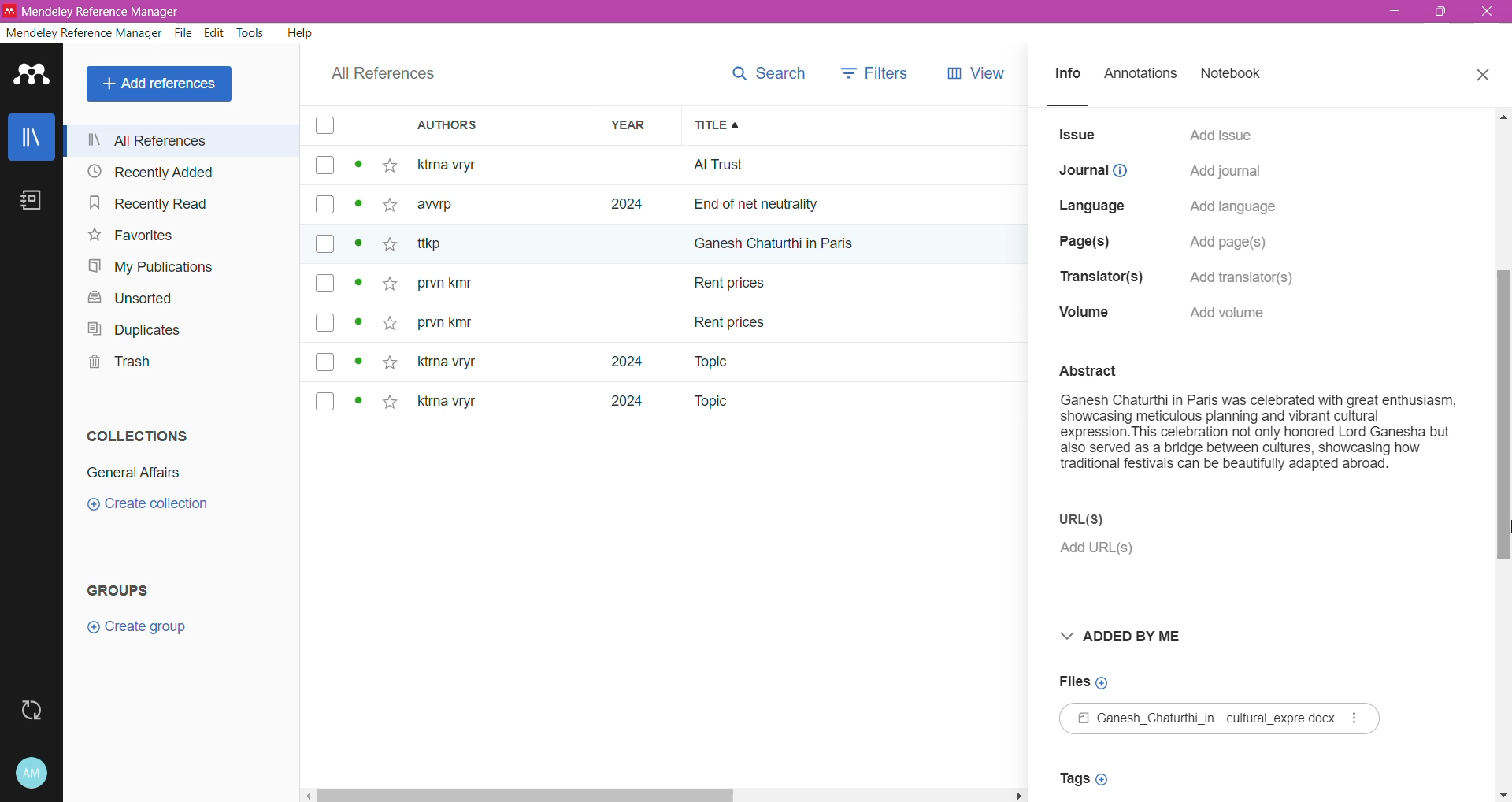 The width and height of the screenshot is (1512, 802). What do you see at coordinates (503, 283) in the screenshot?
I see `Author names of the references in the Library` at bounding box center [503, 283].